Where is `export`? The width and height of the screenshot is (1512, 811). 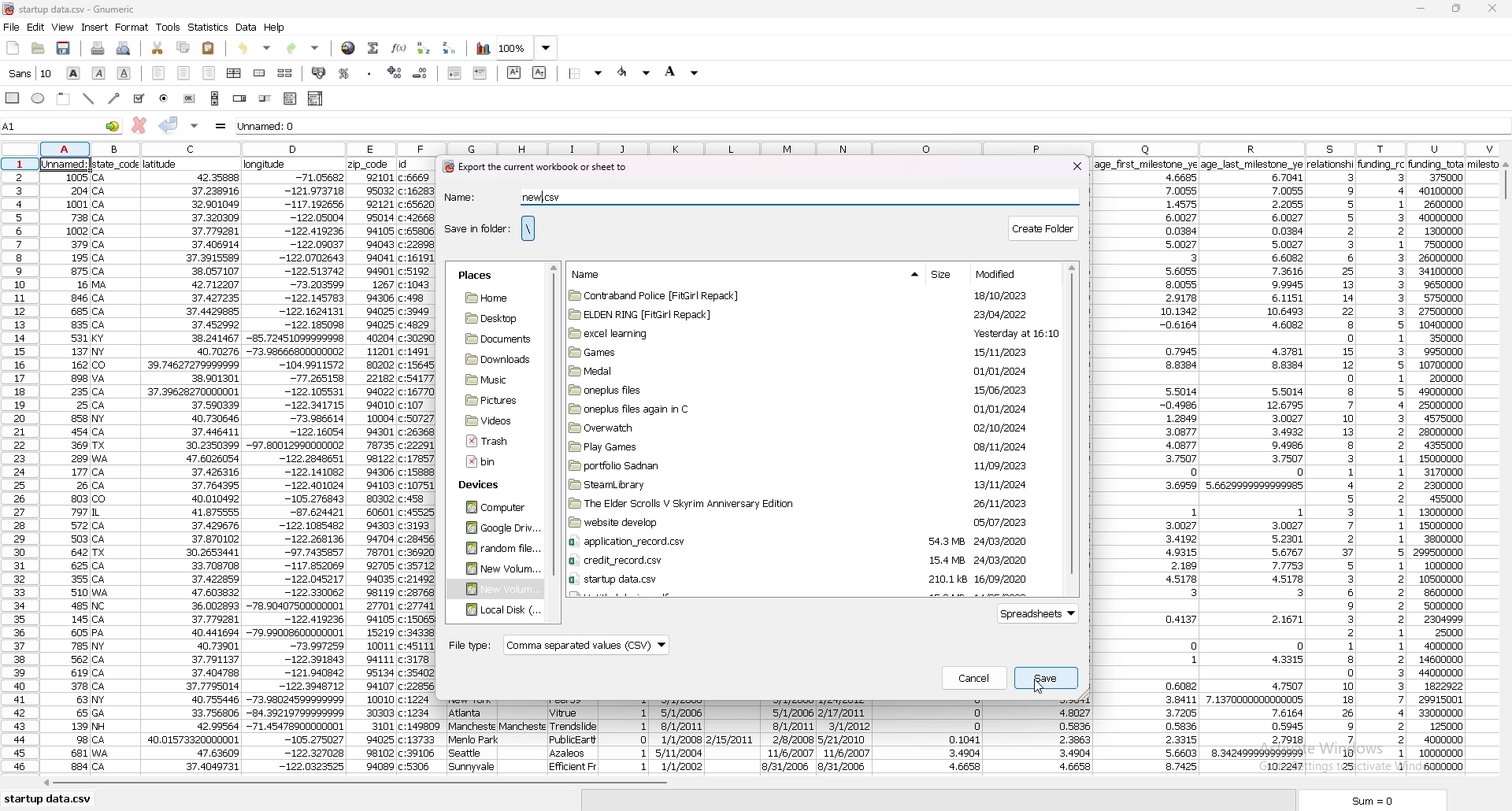
export is located at coordinates (534, 167).